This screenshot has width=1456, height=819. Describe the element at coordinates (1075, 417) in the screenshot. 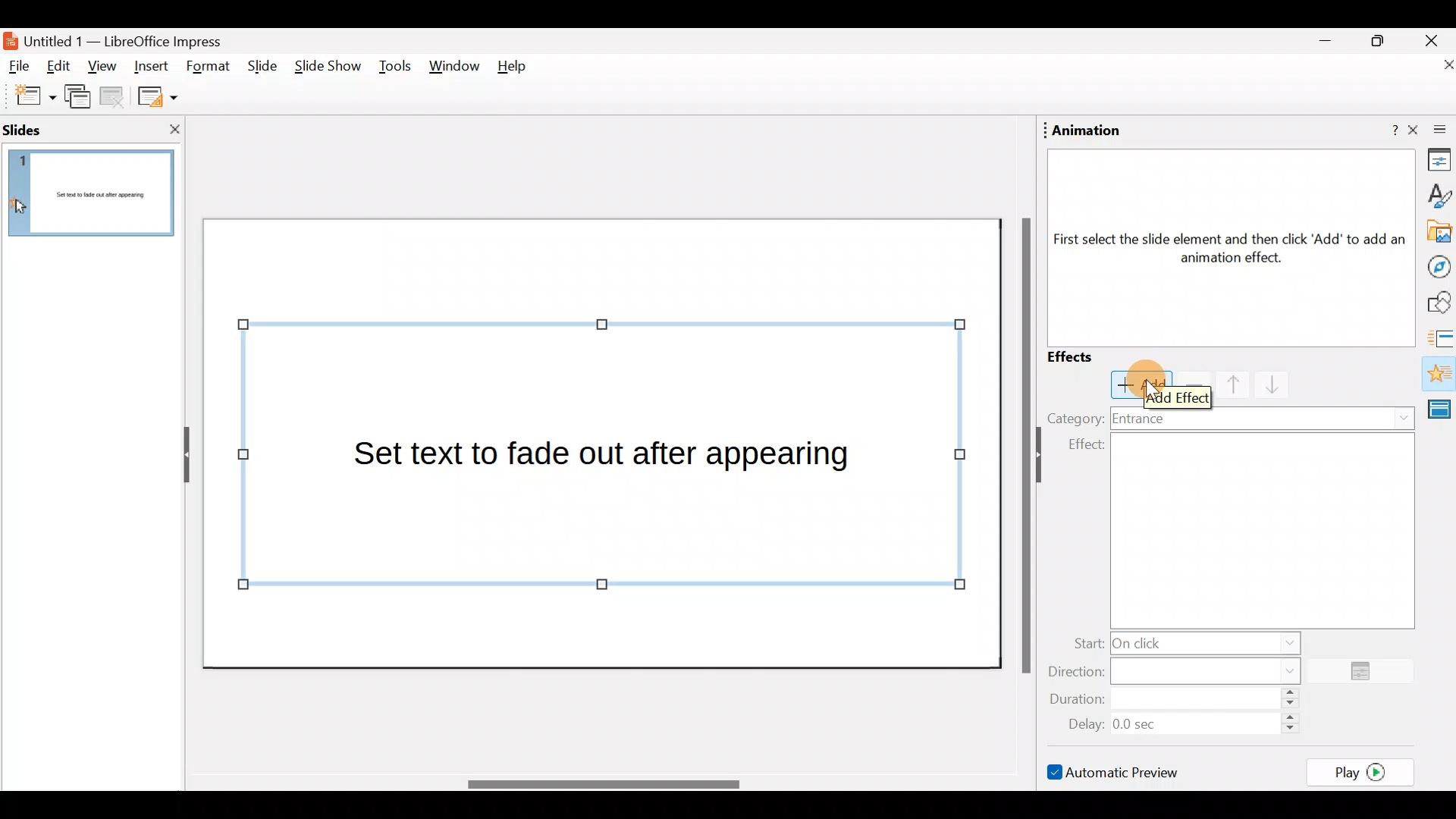

I see `Category` at that location.